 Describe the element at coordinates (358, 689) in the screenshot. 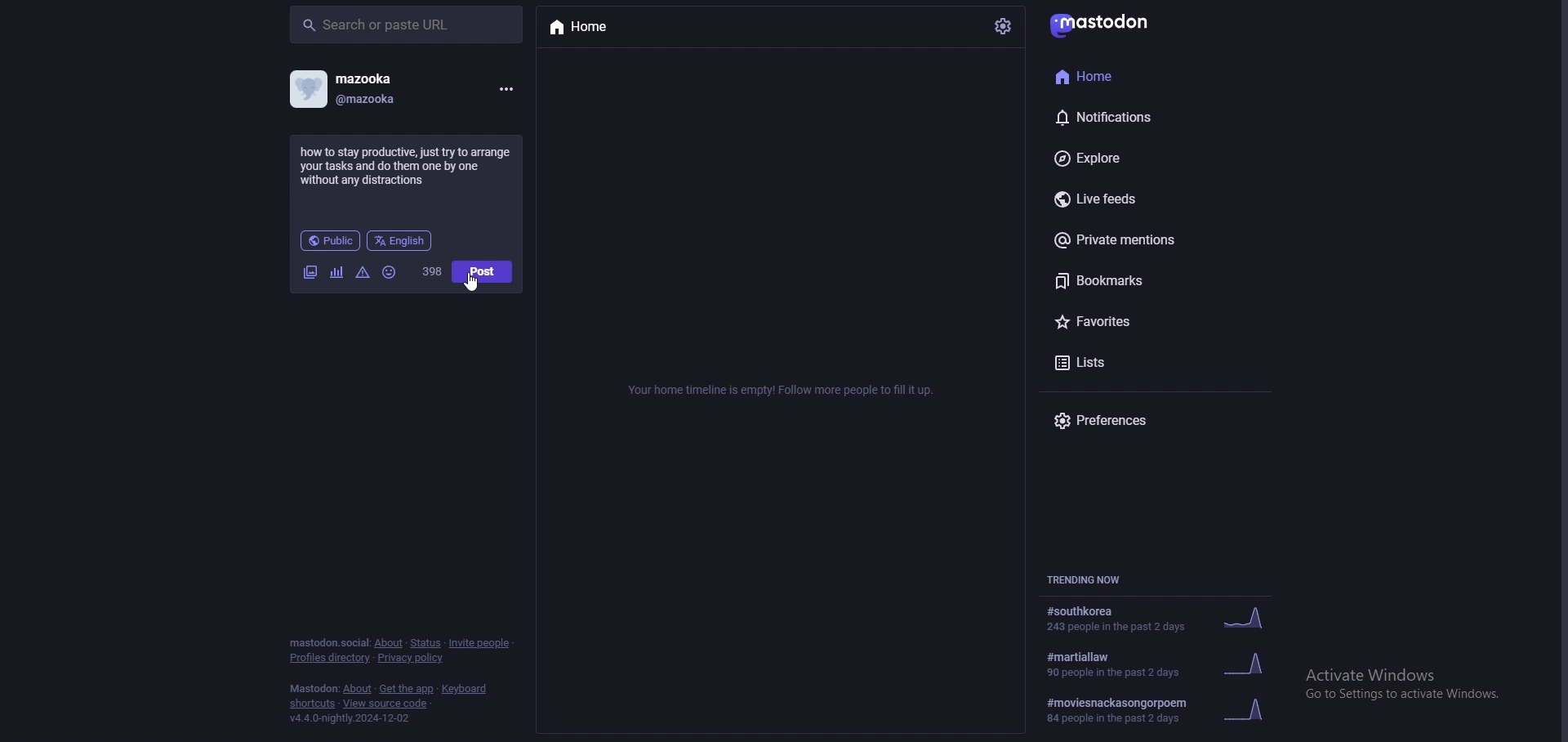

I see `about` at that location.